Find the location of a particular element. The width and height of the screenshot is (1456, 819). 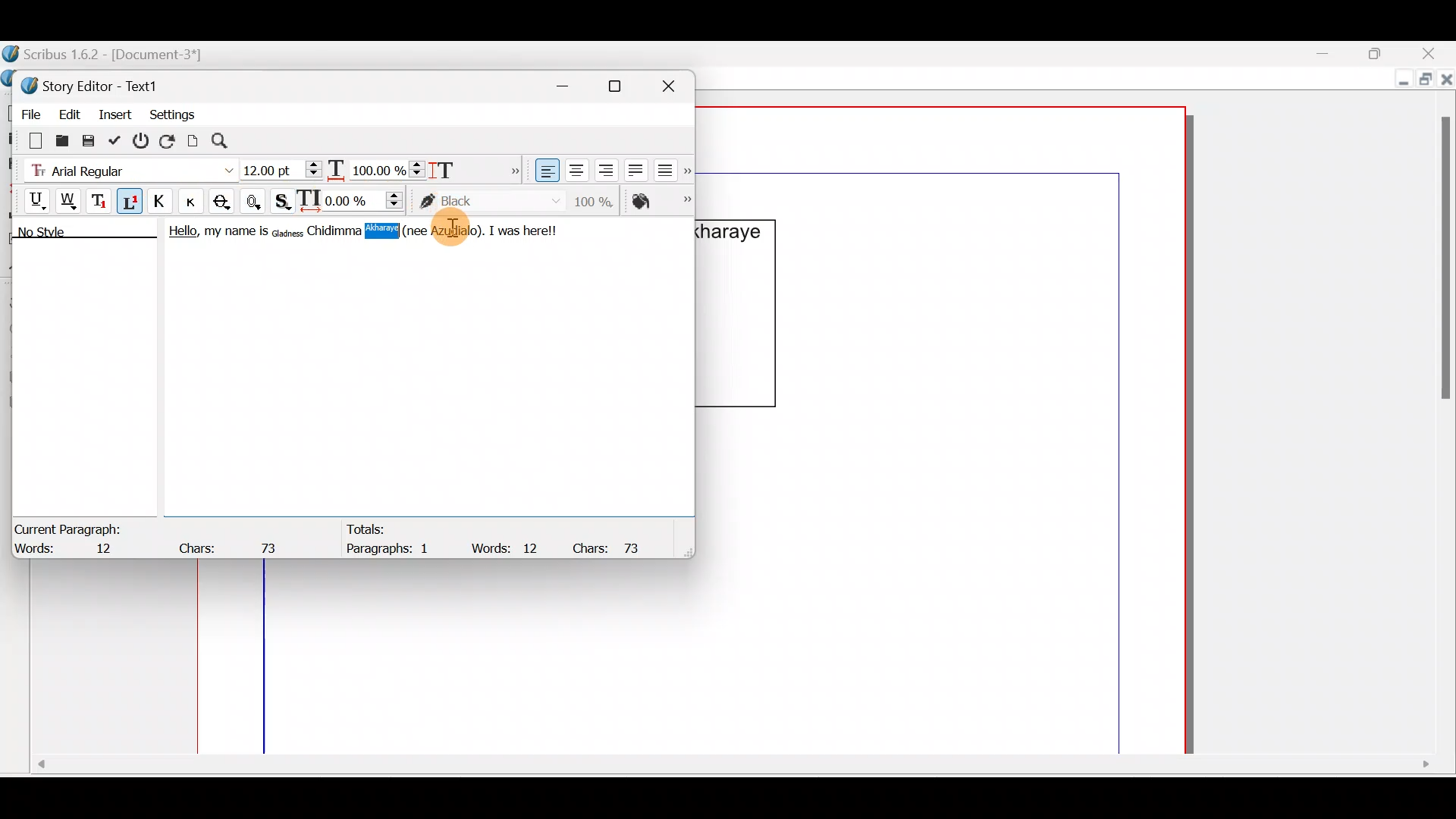

Edit  is located at coordinates (69, 111).